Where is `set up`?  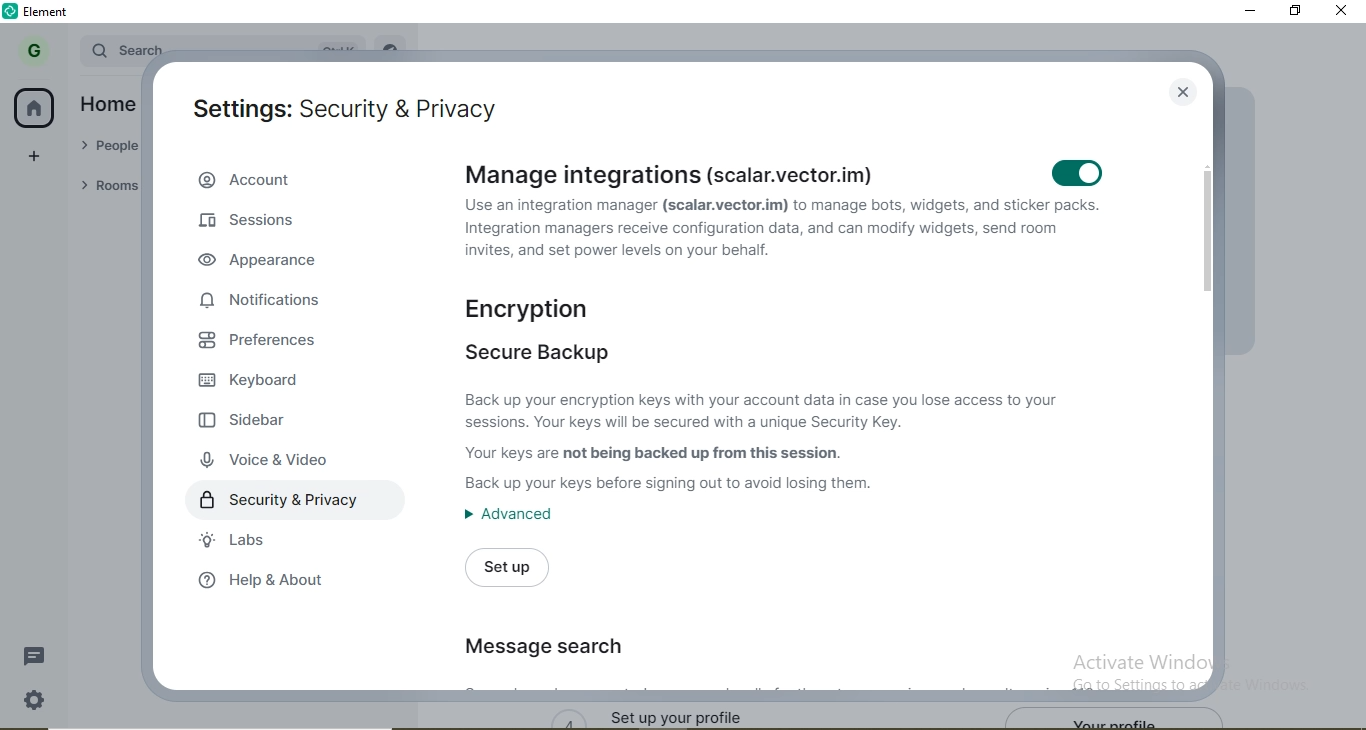
set up is located at coordinates (503, 568).